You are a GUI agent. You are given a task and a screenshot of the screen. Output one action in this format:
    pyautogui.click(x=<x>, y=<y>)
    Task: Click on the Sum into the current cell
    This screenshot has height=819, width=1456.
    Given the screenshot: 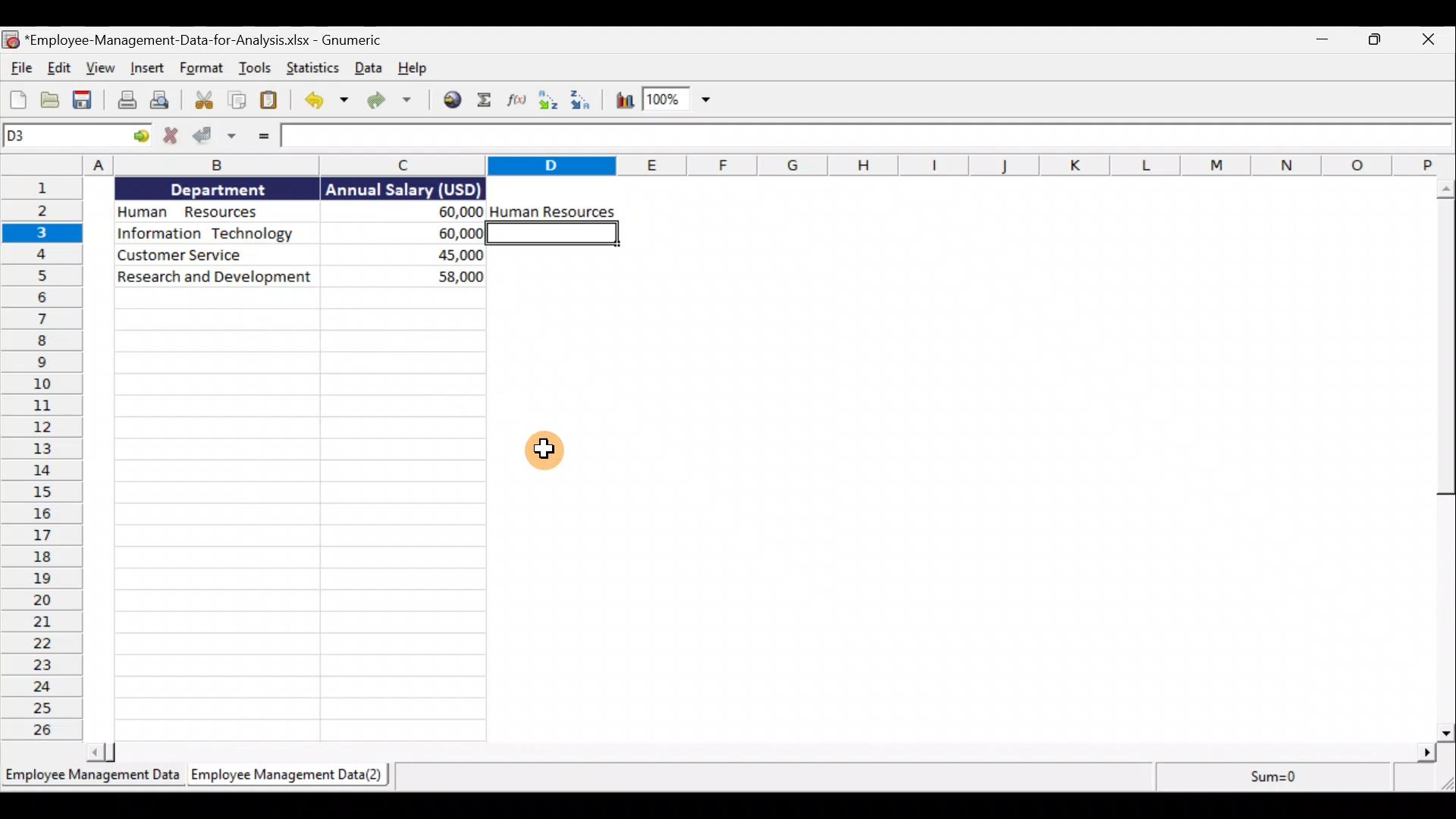 What is the action you would take?
    pyautogui.click(x=487, y=101)
    